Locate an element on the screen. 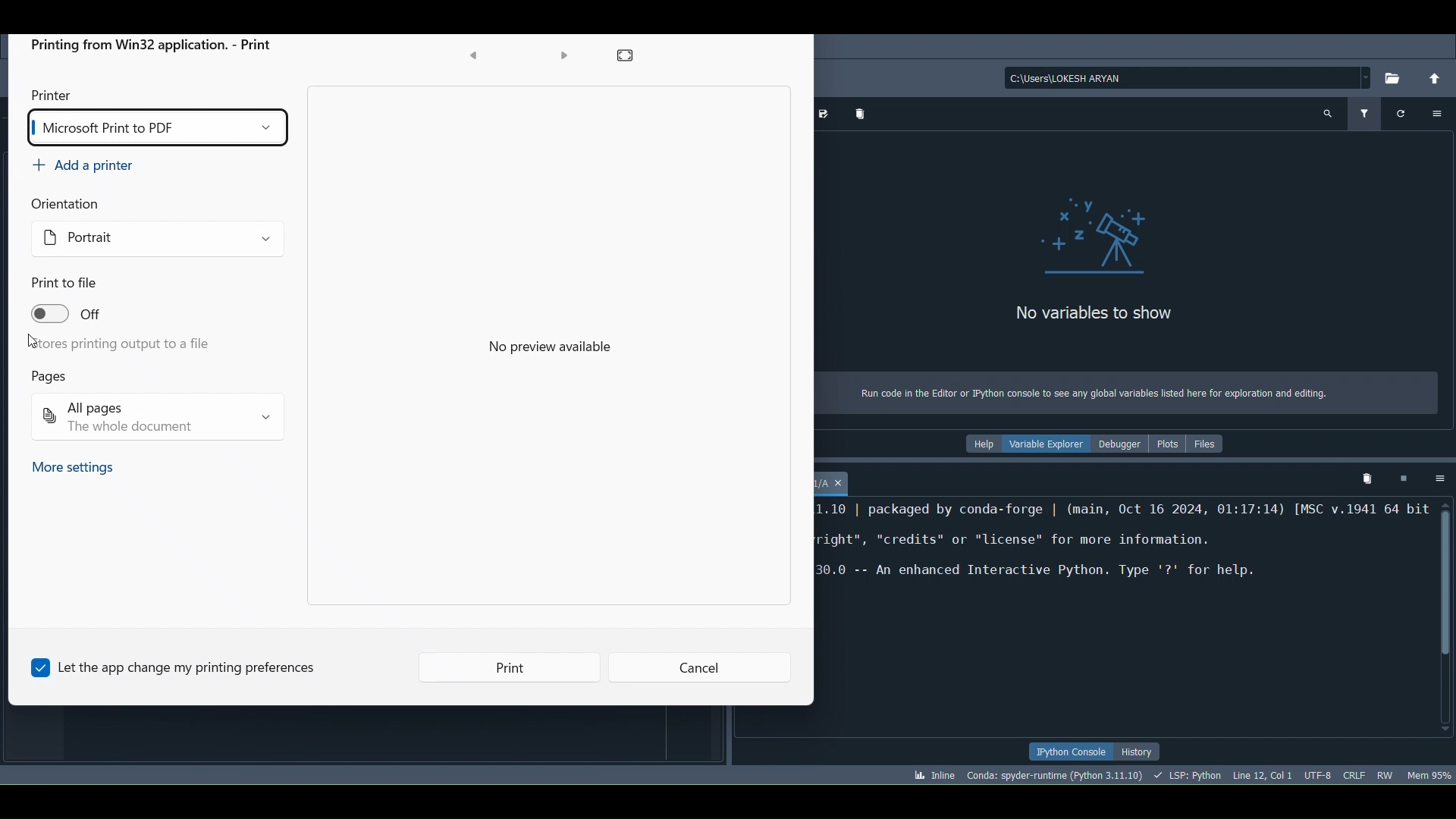  Printer is located at coordinates (55, 91).